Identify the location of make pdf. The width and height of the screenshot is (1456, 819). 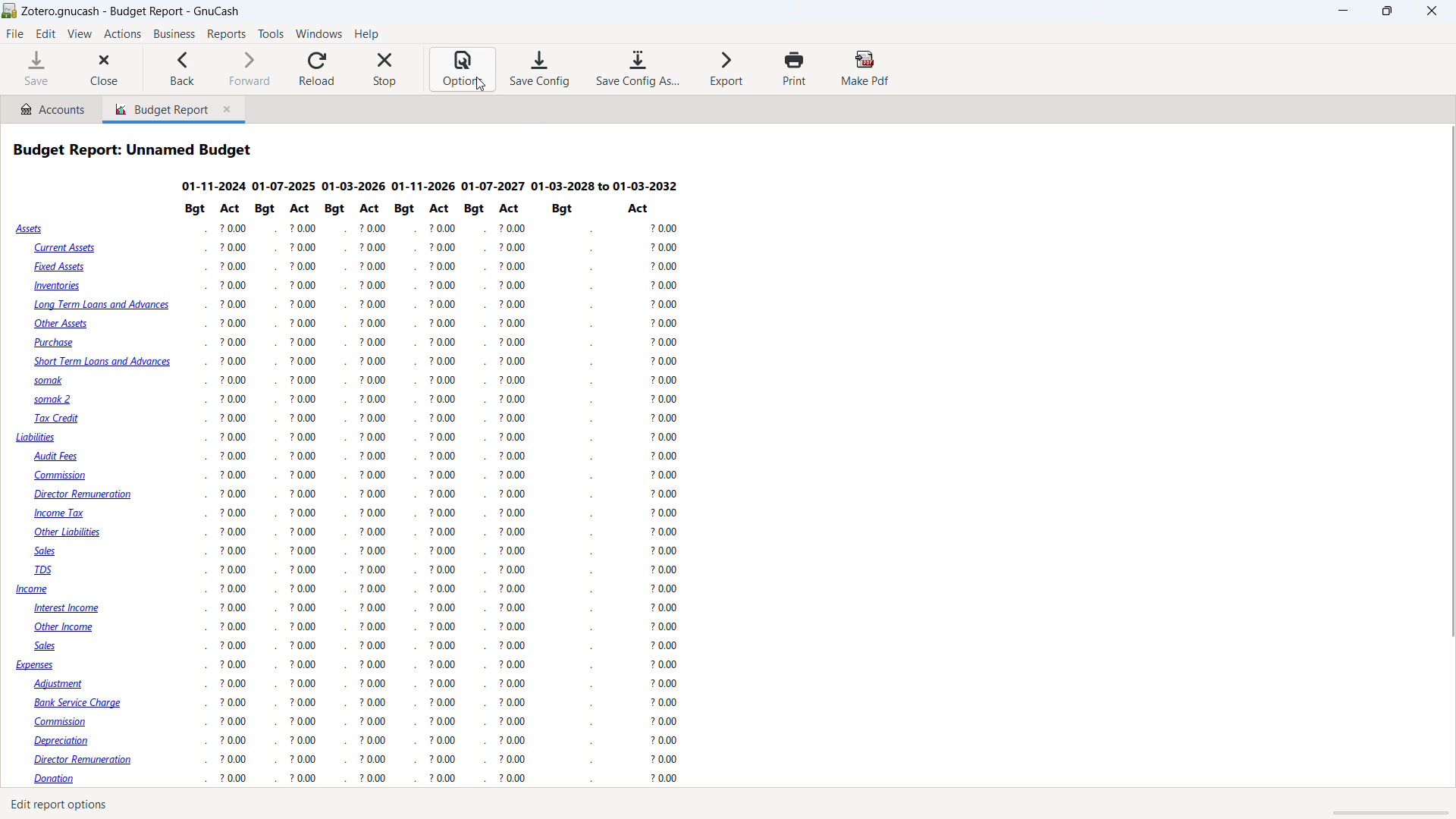
(866, 68).